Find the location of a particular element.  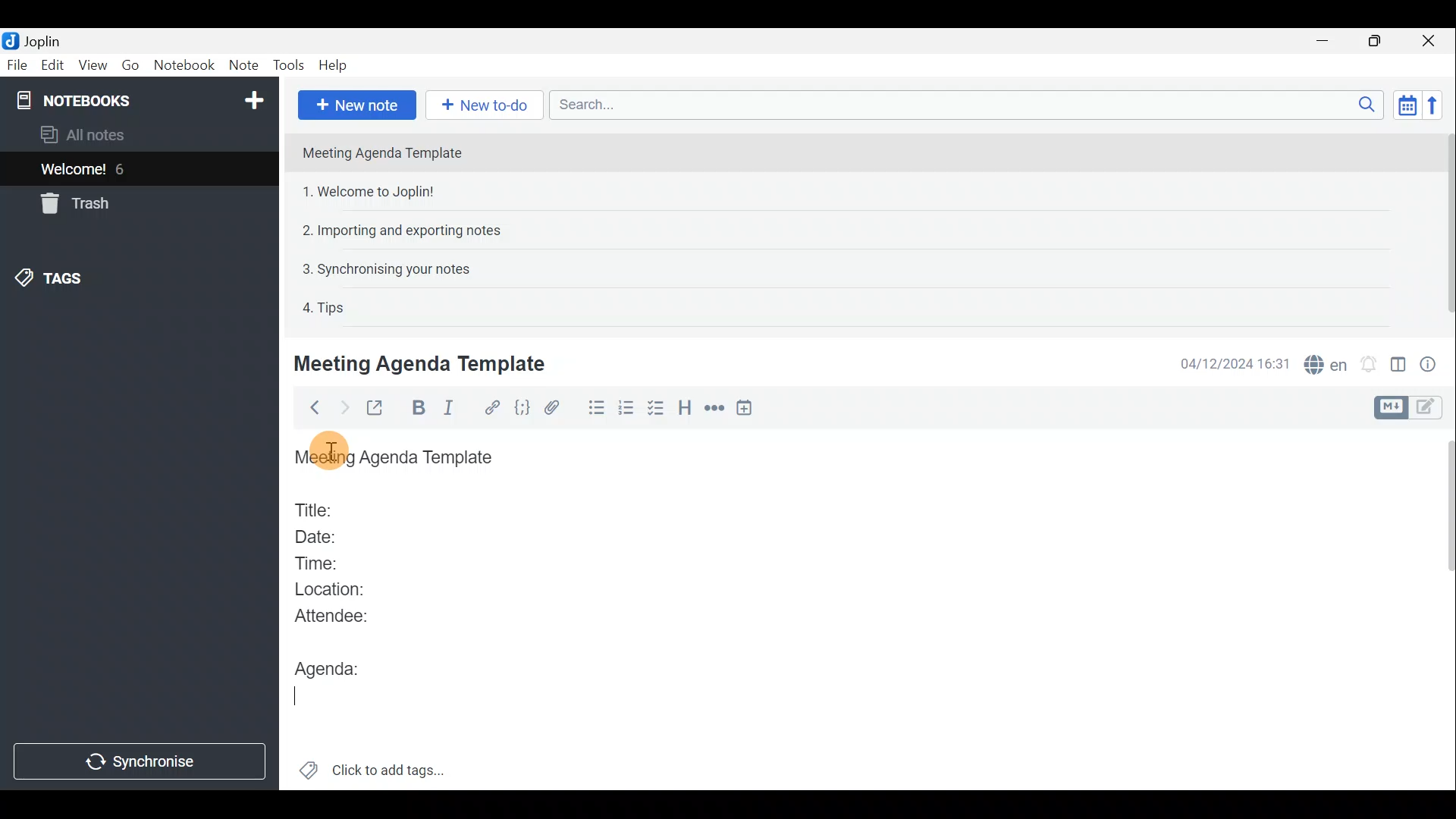

Bold is located at coordinates (419, 408).